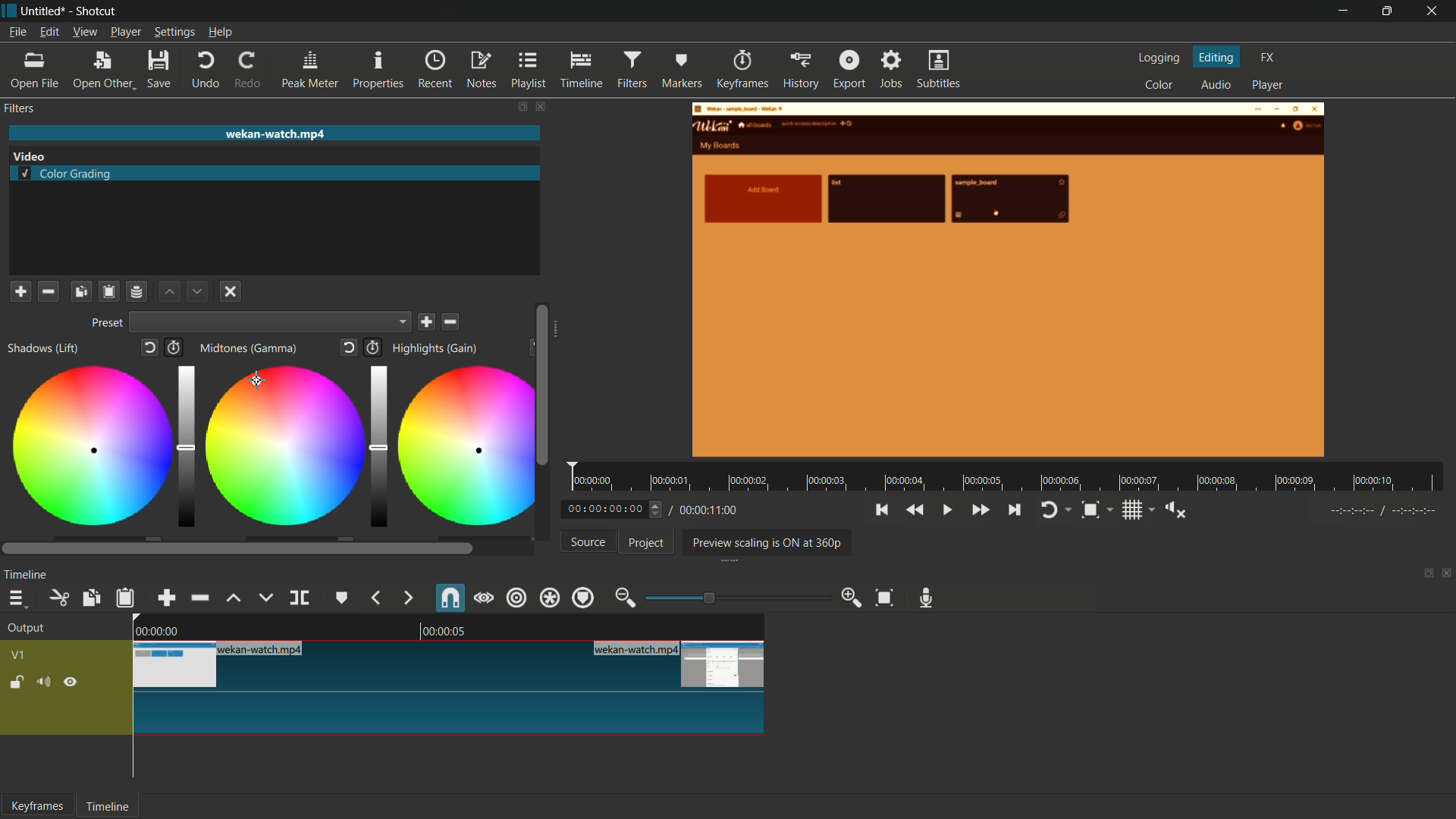  Describe the element at coordinates (107, 322) in the screenshot. I see `preset` at that location.